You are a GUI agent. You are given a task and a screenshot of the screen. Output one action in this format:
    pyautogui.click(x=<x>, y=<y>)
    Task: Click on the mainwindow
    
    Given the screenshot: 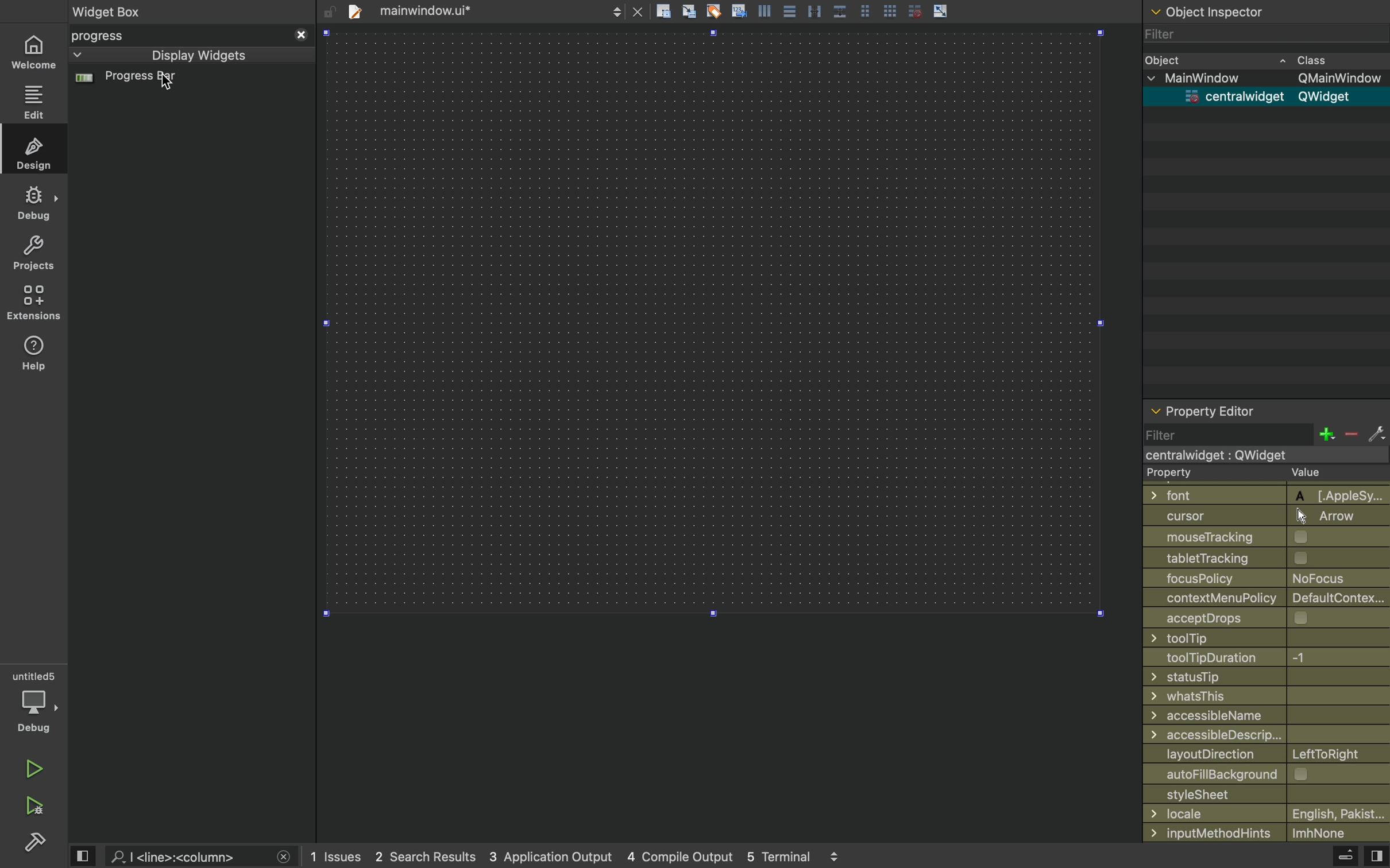 What is the action you would take?
    pyautogui.click(x=1269, y=77)
    